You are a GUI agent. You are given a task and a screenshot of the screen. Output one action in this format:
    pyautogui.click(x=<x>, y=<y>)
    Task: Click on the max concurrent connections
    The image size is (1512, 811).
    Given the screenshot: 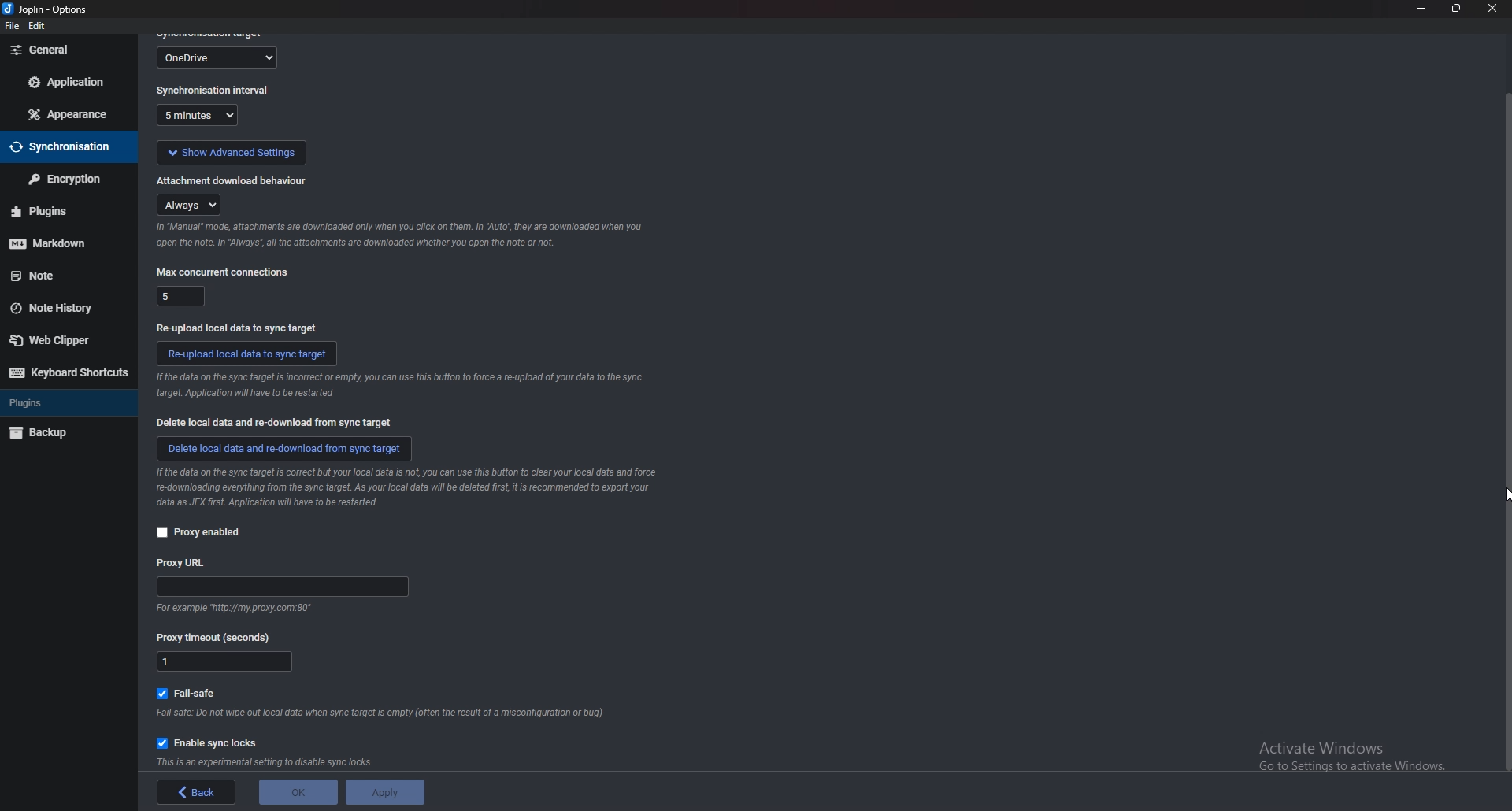 What is the action you would take?
    pyautogui.click(x=180, y=294)
    